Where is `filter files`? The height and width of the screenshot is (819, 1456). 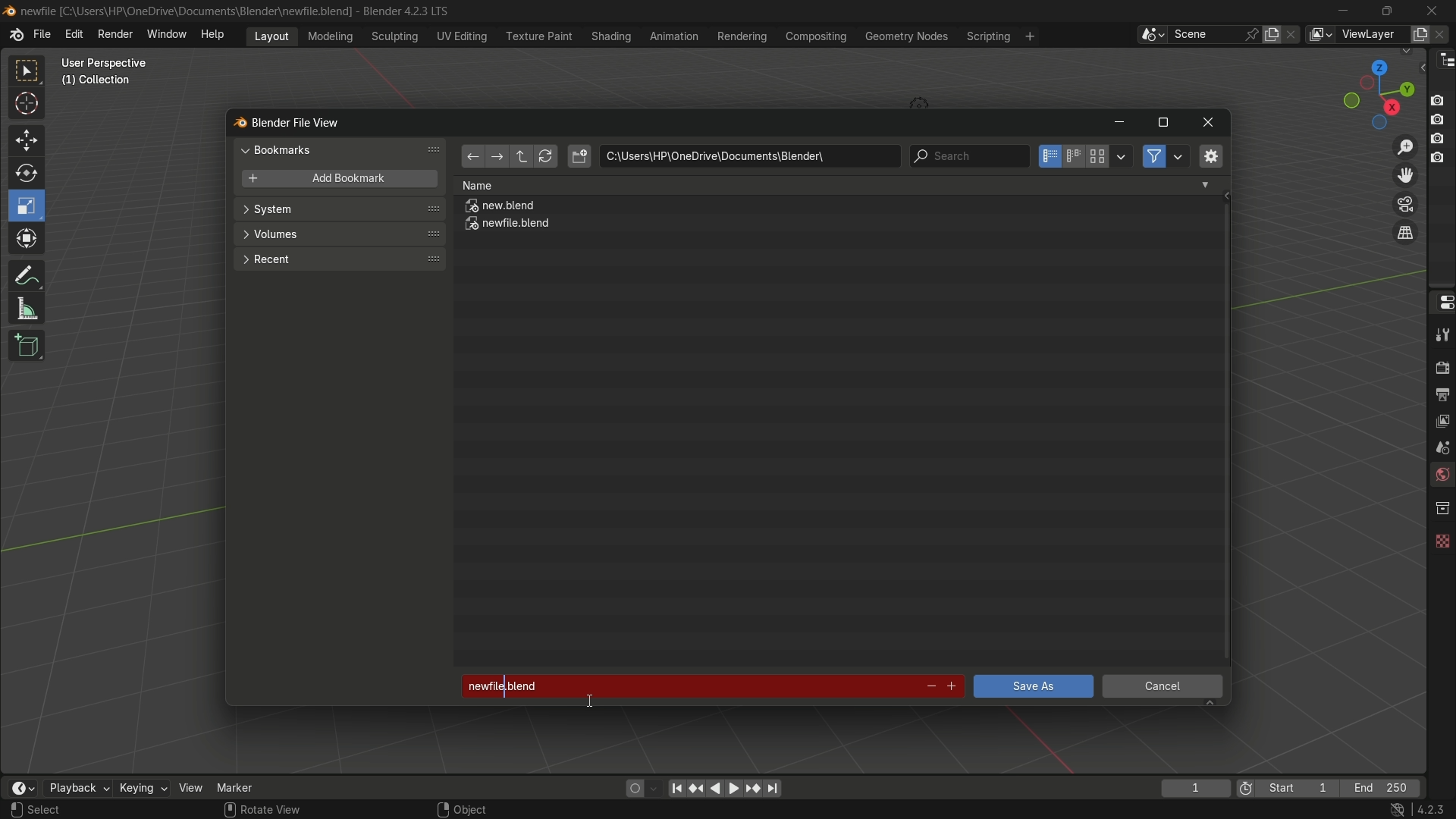 filter files is located at coordinates (1153, 156).